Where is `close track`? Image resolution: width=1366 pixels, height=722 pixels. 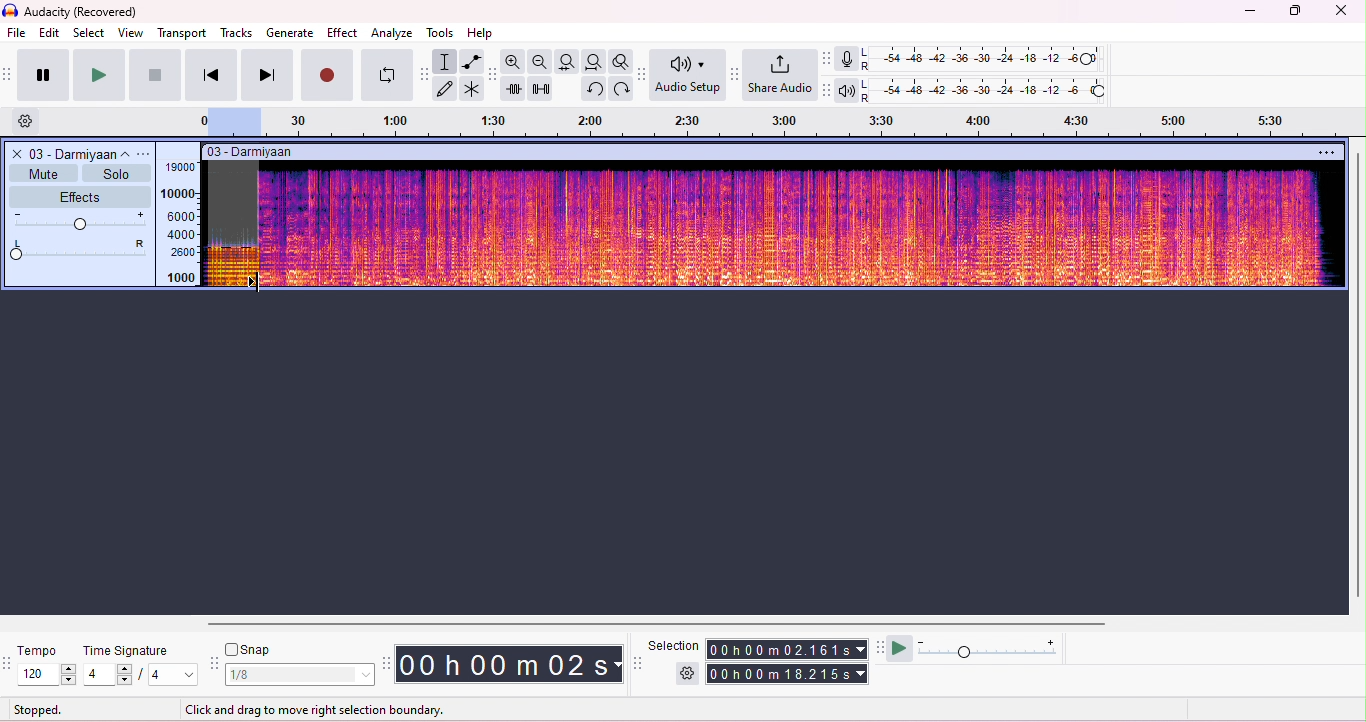 close track is located at coordinates (15, 153).